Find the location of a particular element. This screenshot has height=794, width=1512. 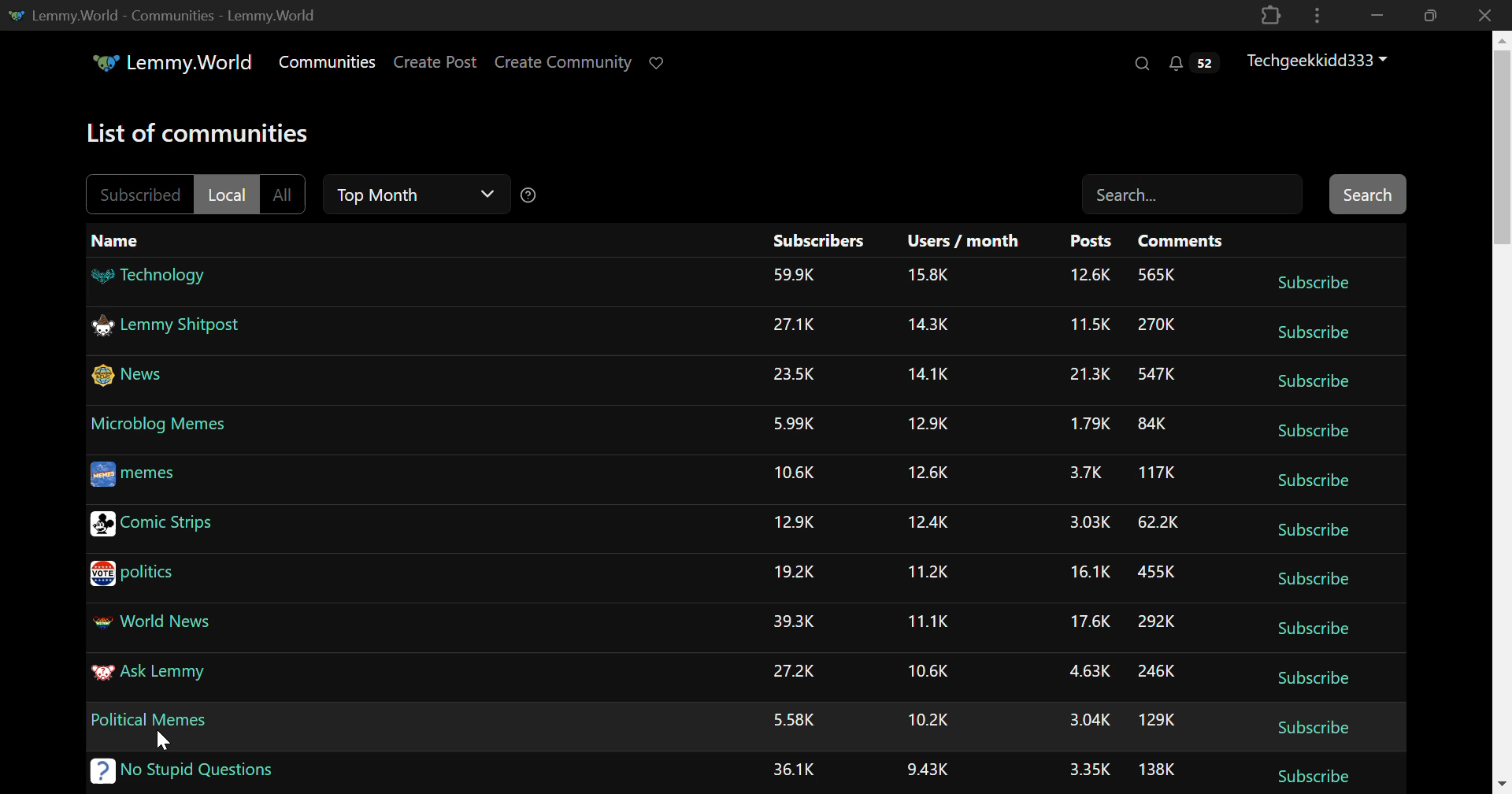

Amount is located at coordinates (1095, 326).